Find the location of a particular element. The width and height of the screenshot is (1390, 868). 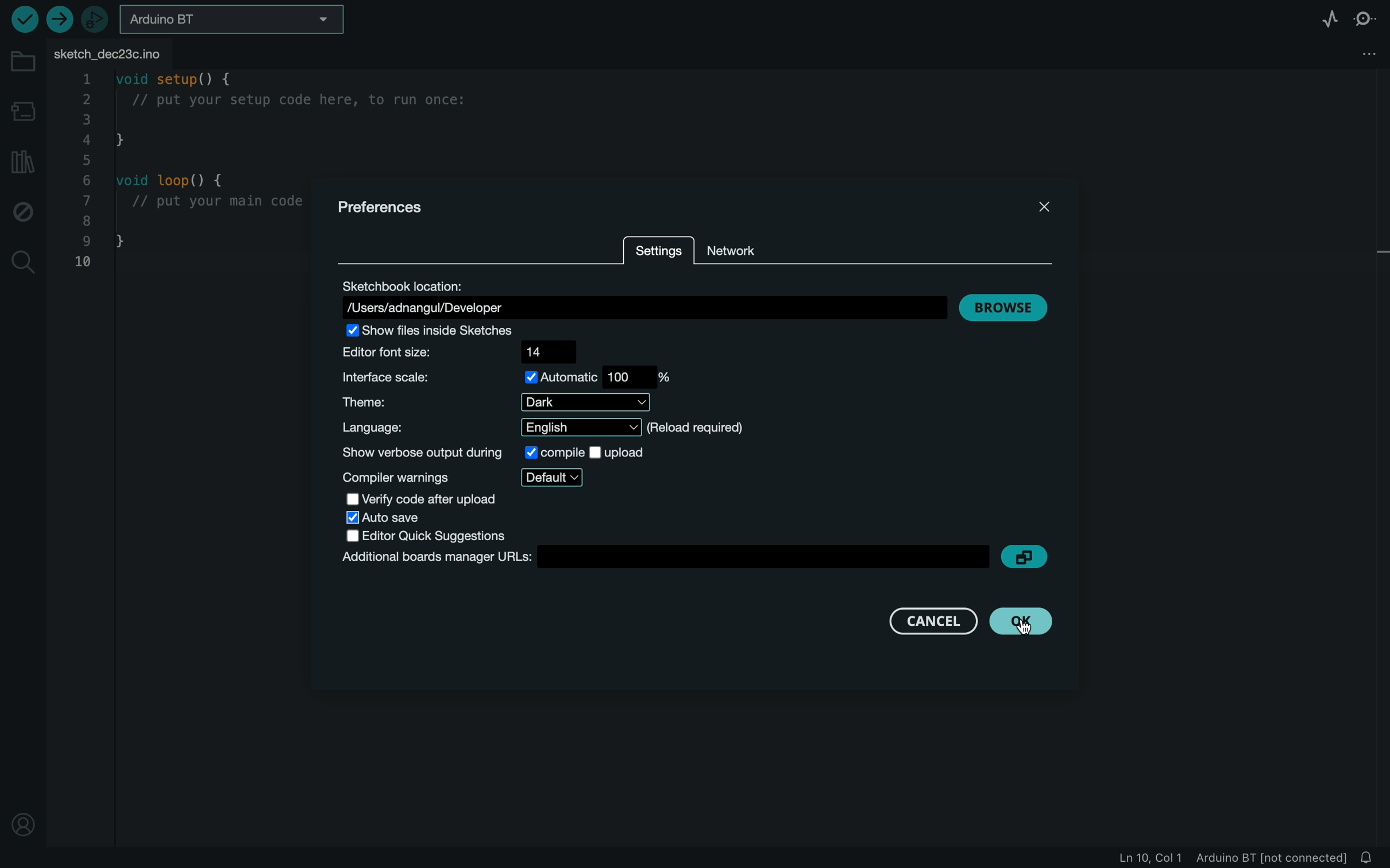

show files is located at coordinates (447, 329).